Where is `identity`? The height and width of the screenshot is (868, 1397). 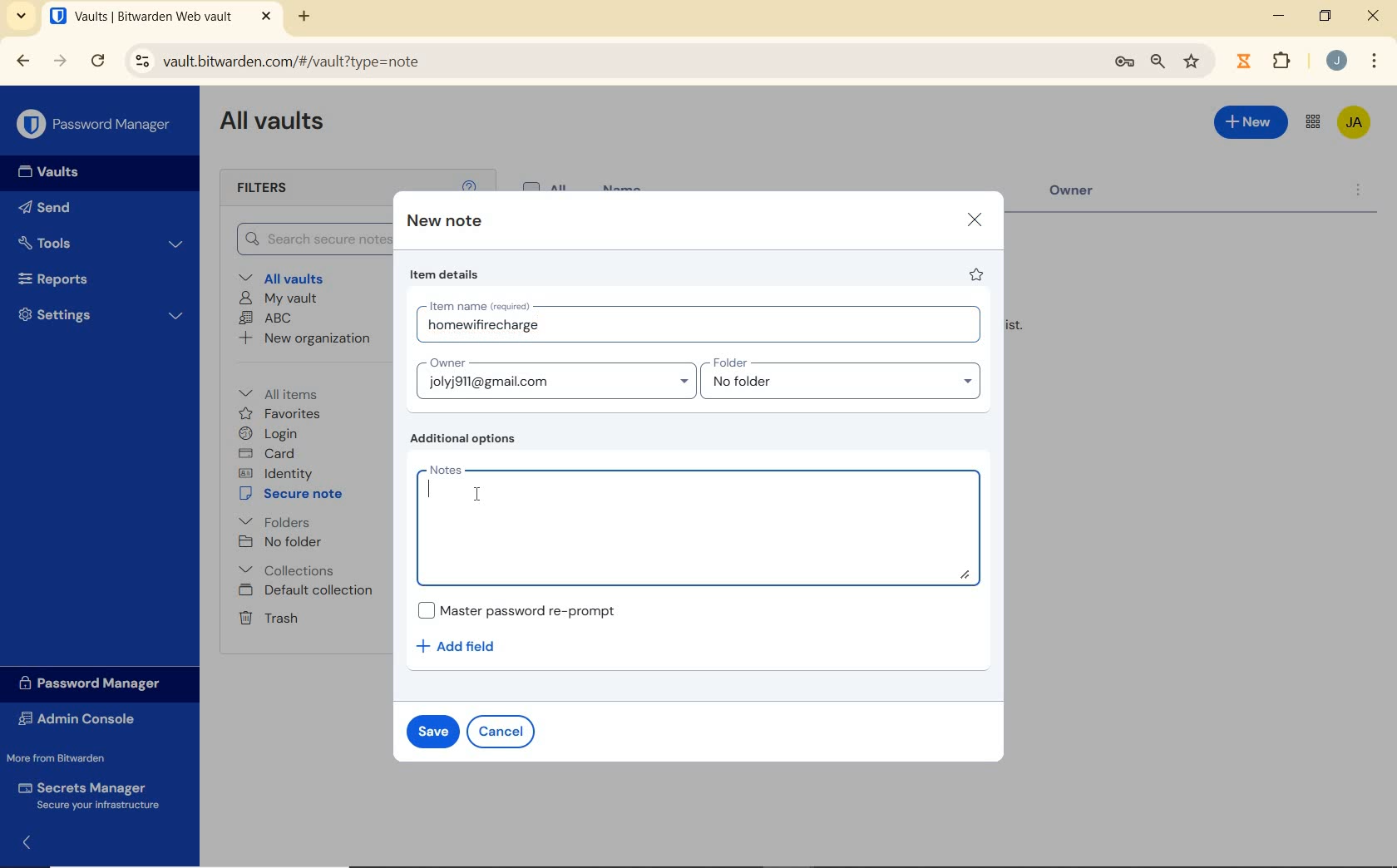 identity is located at coordinates (275, 472).